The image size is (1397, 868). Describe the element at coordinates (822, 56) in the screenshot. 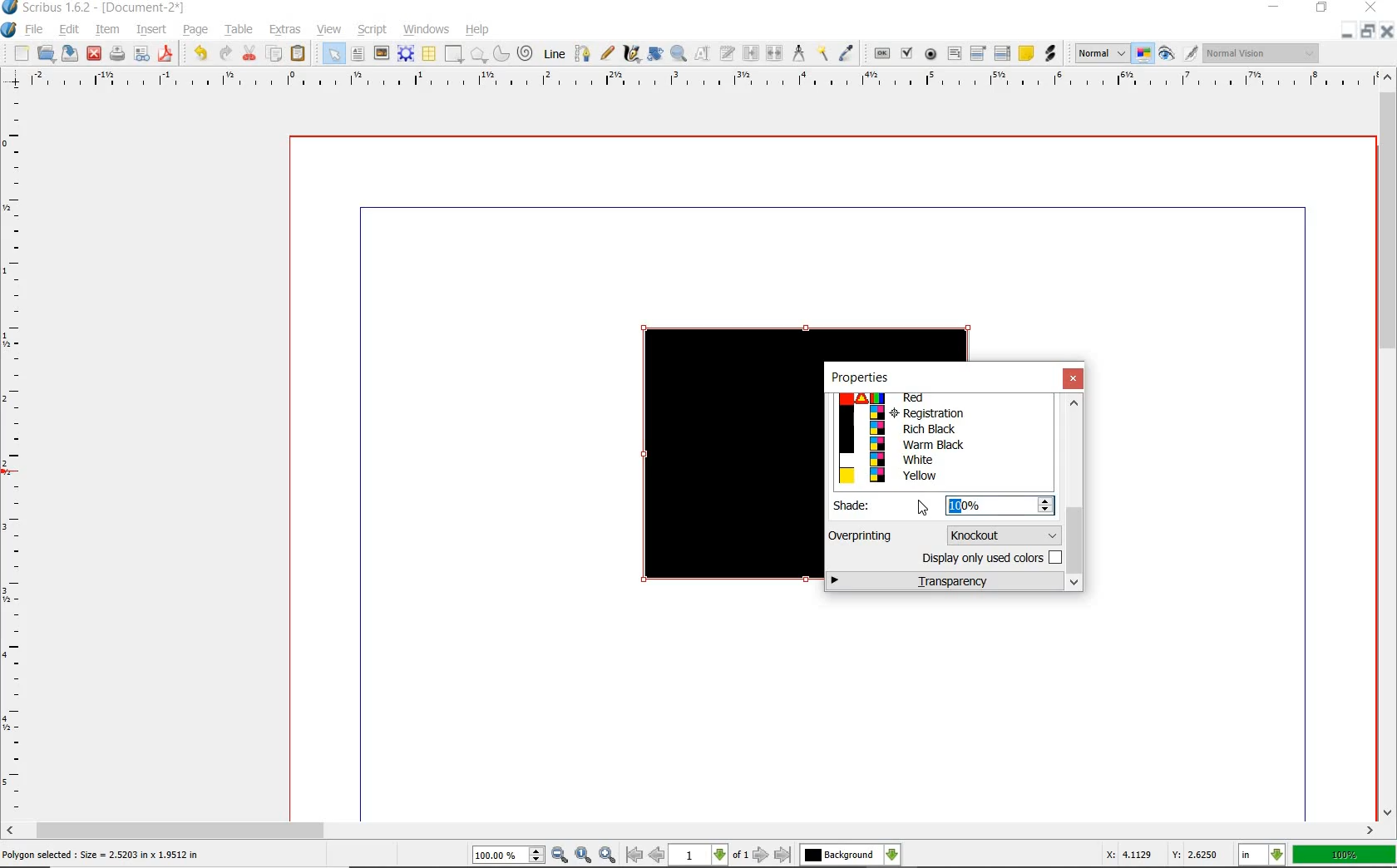

I see `copy item properties` at that location.